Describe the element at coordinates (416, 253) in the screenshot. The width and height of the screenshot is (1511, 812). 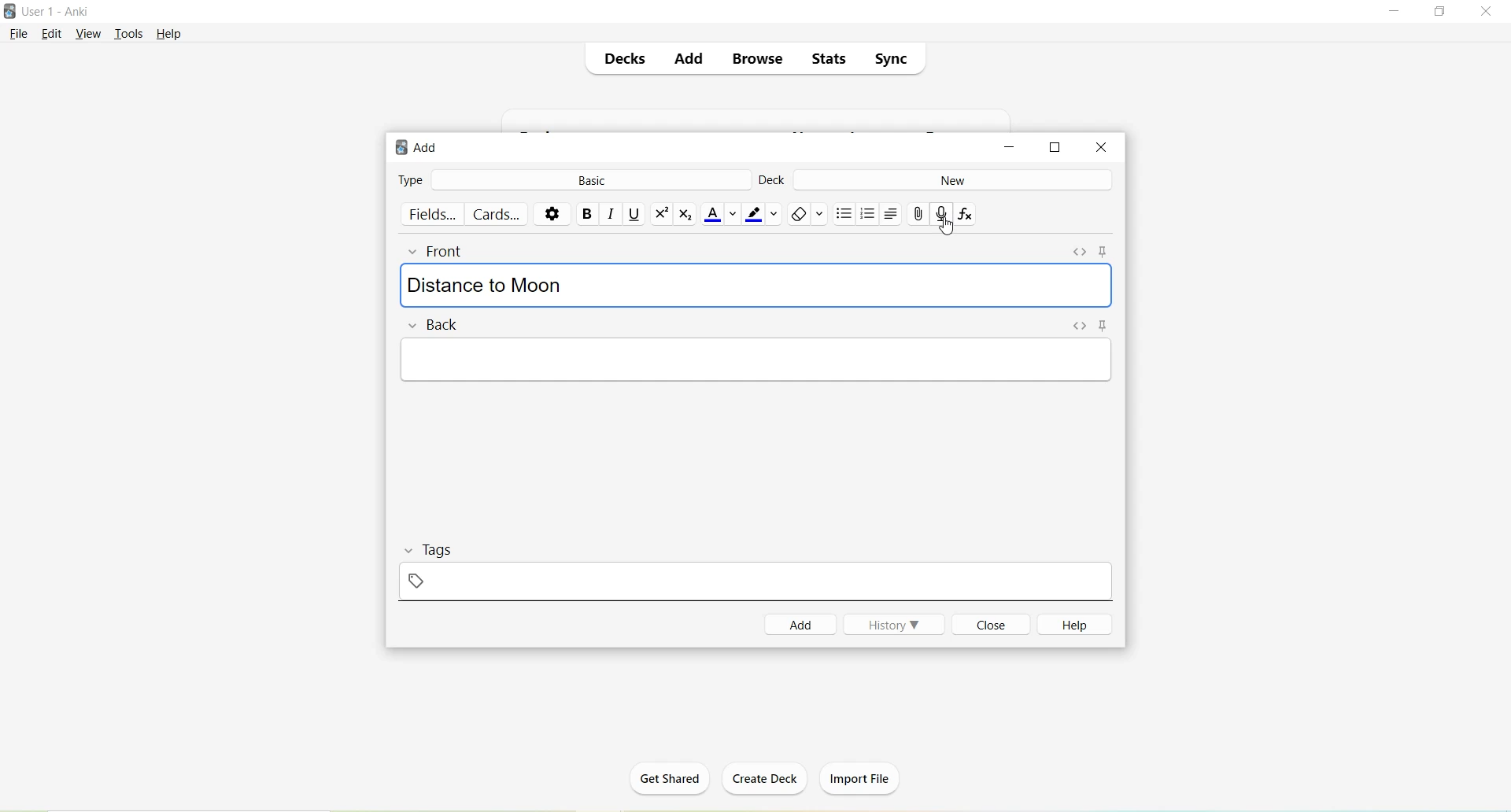
I see `Collapse field` at that location.